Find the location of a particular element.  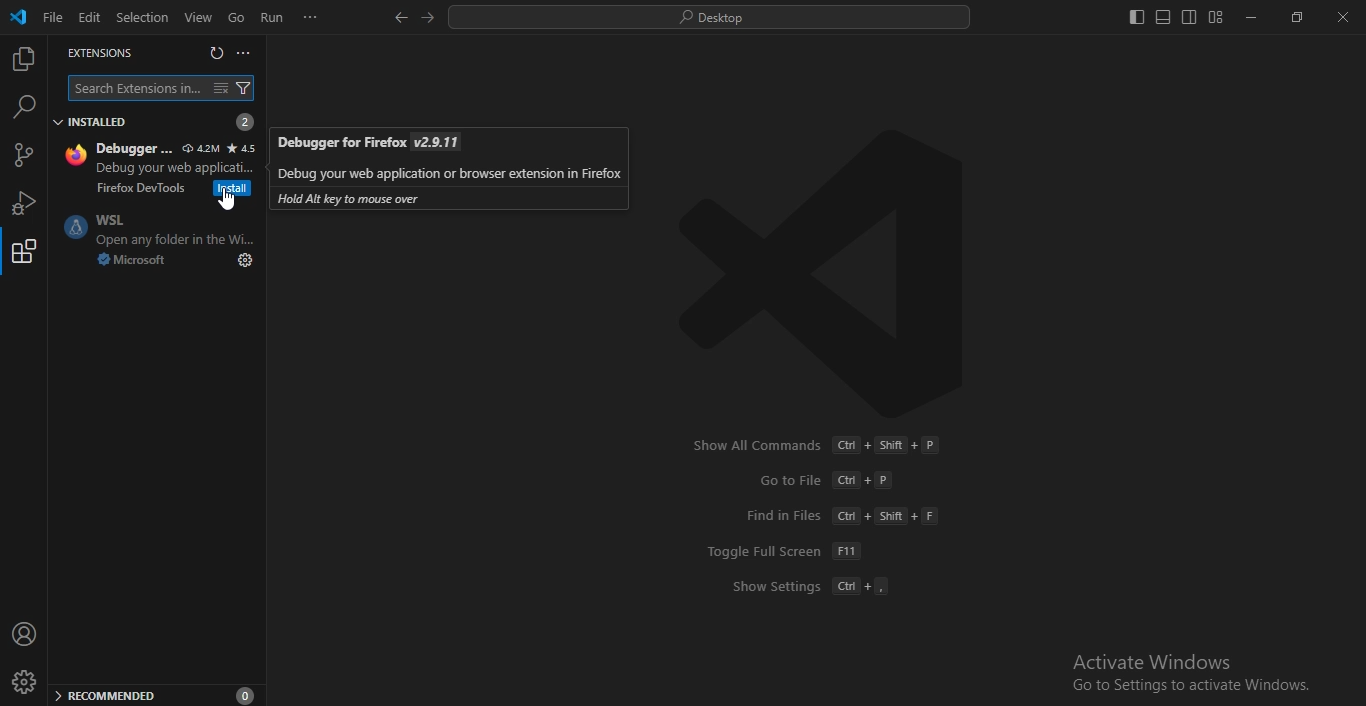

customize layout is located at coordinates (1216, 21).